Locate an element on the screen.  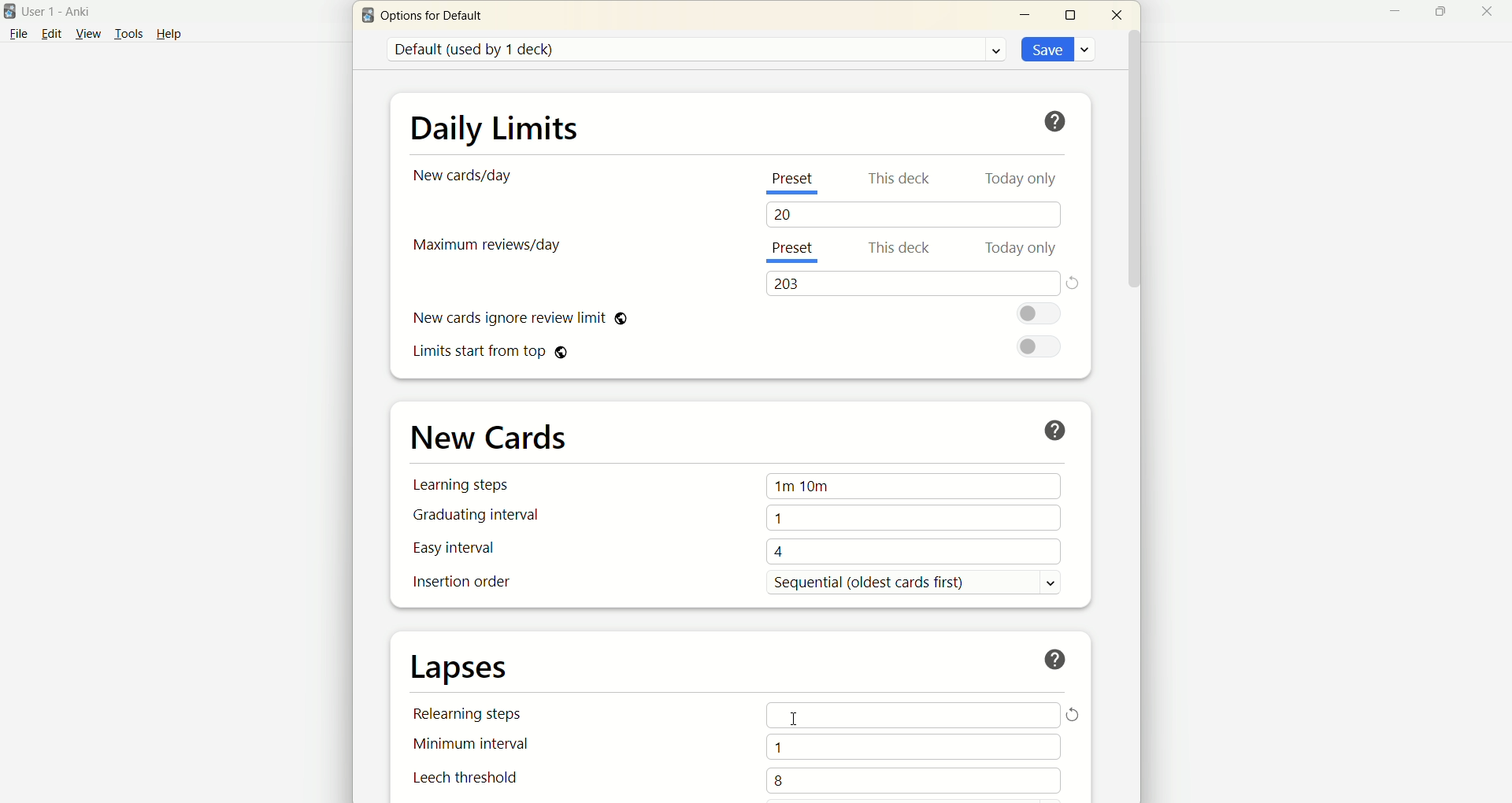
vertical scroll bar is located at coordinates (1135, 414).